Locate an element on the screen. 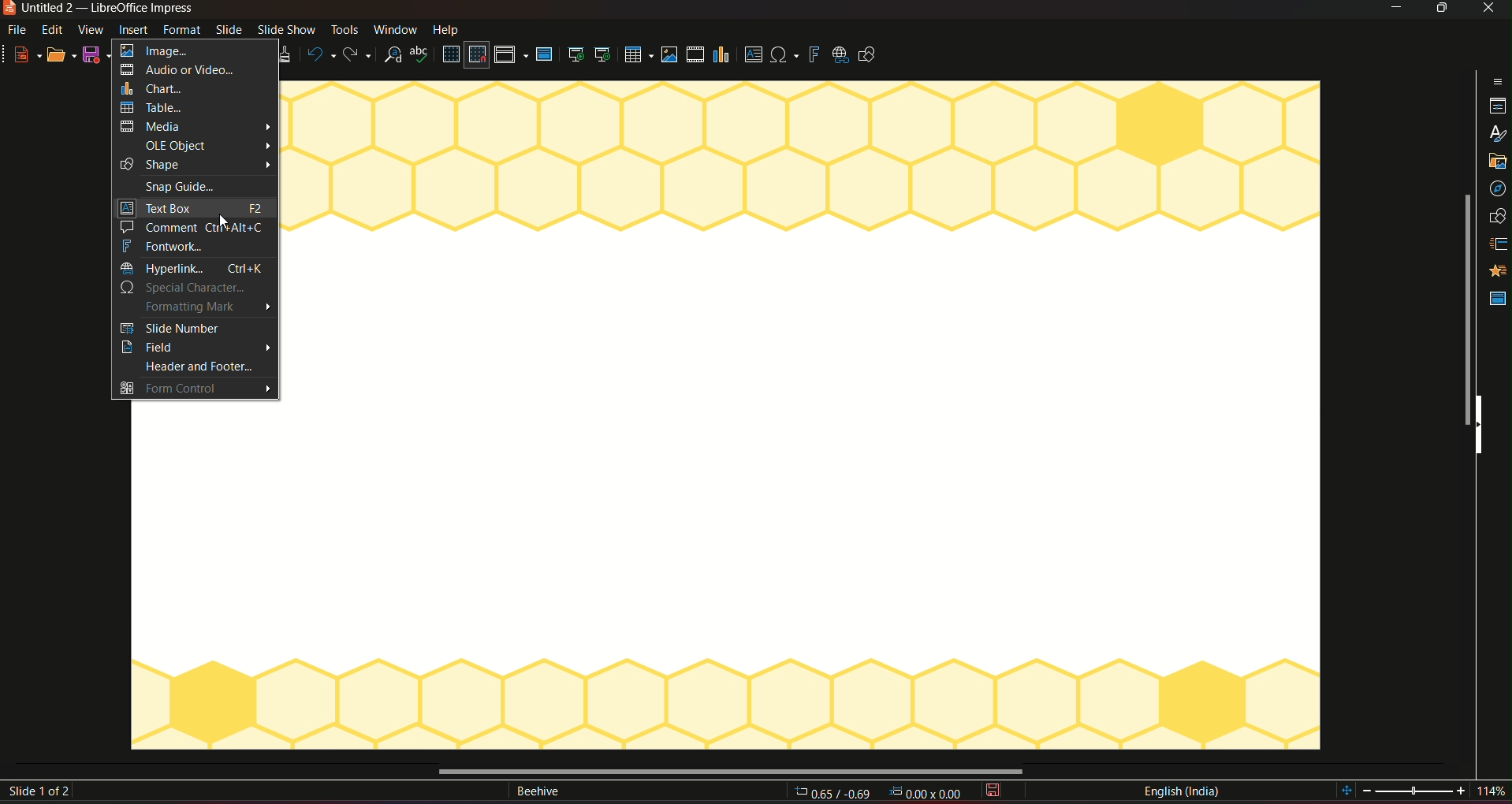  window is located at coordinates (395, 29).